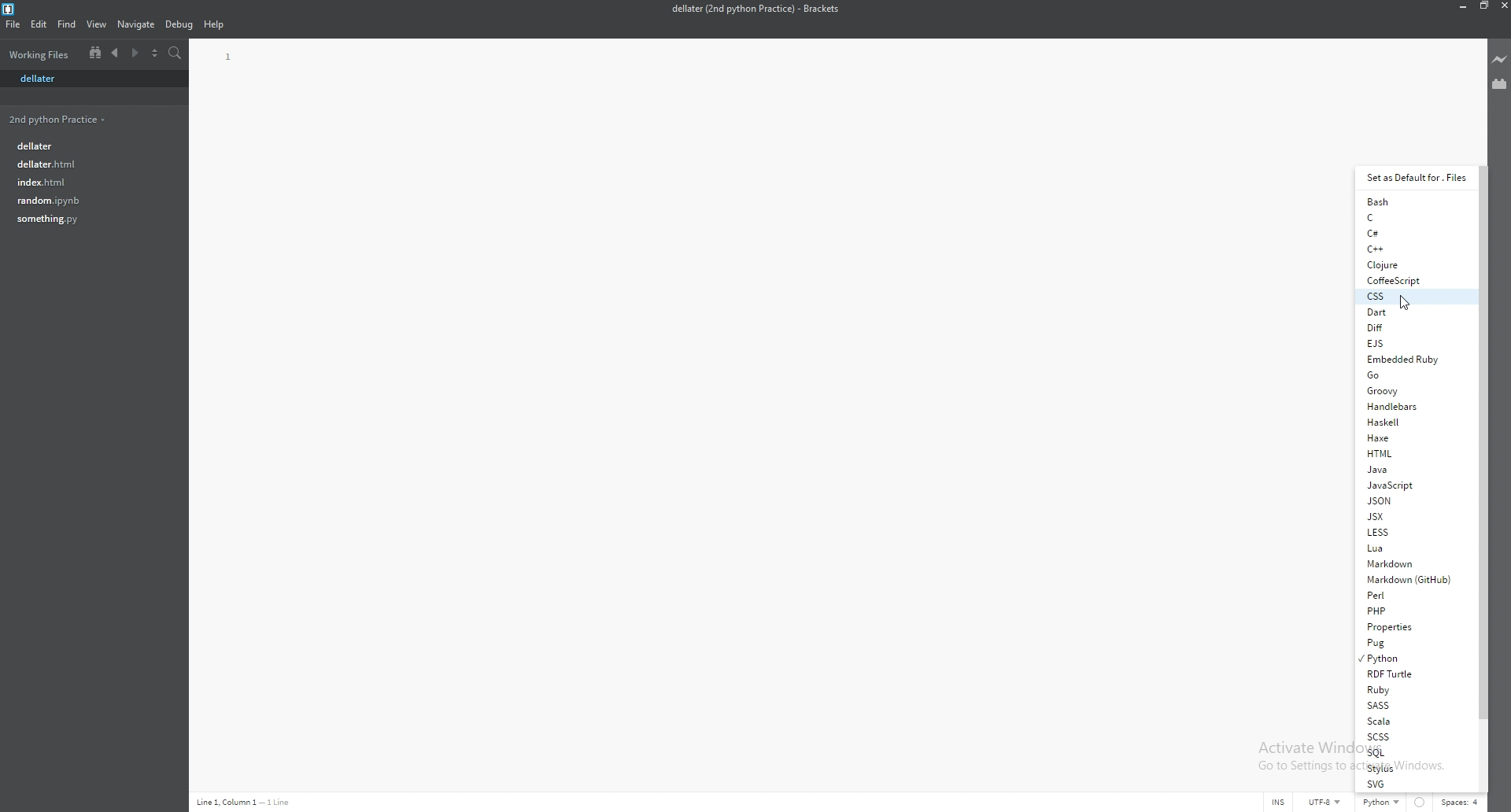 The height and width of the screenshot is (812, 1511). Describe the element at coordinates (176, 54) in the screenshot. I see `search` at that location.